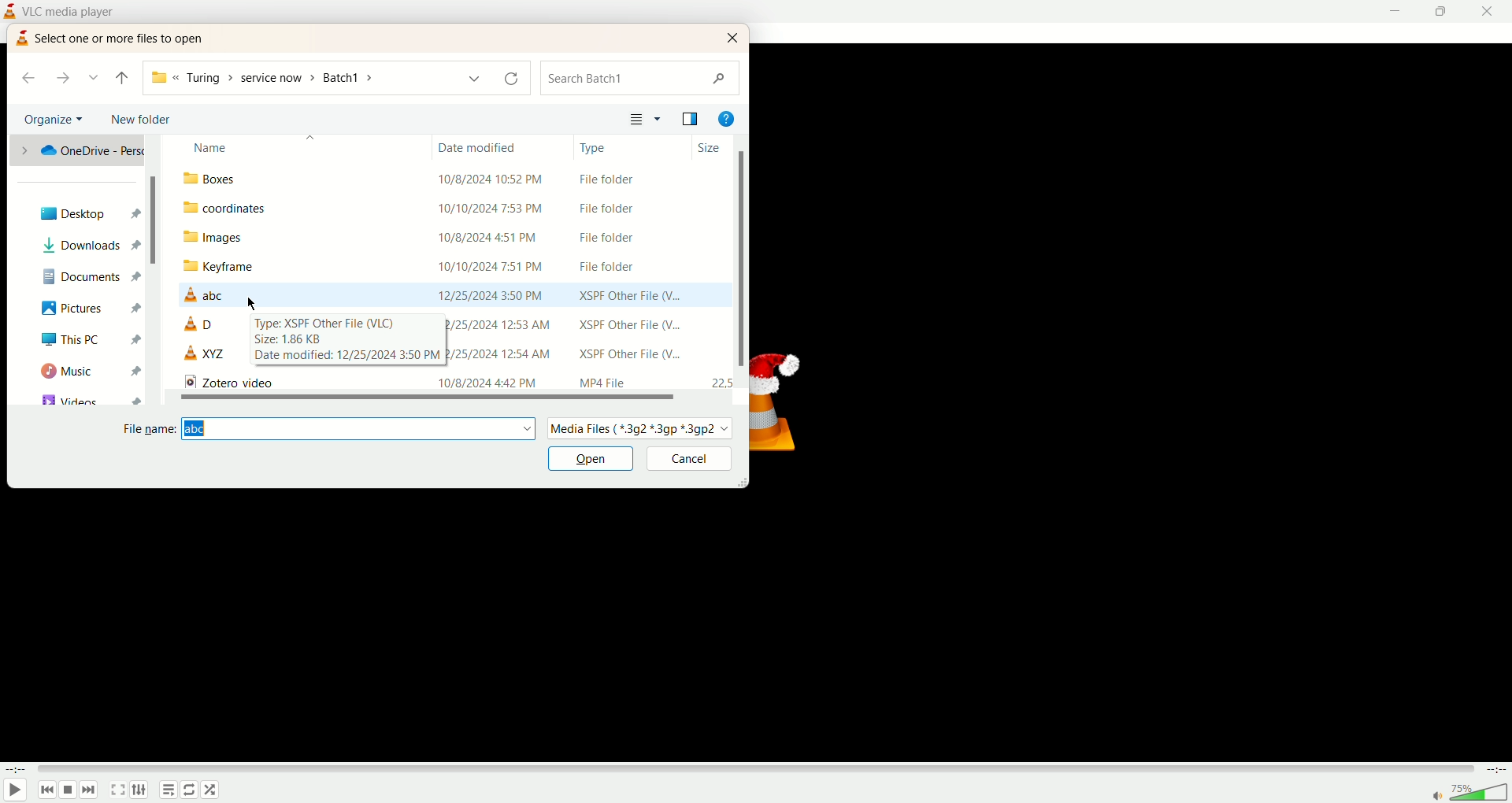 The height and width of the screenshot is (803, 1512). Describe the element at coordinates (1494, 769) in the screenshot. I see `time left` at that location.